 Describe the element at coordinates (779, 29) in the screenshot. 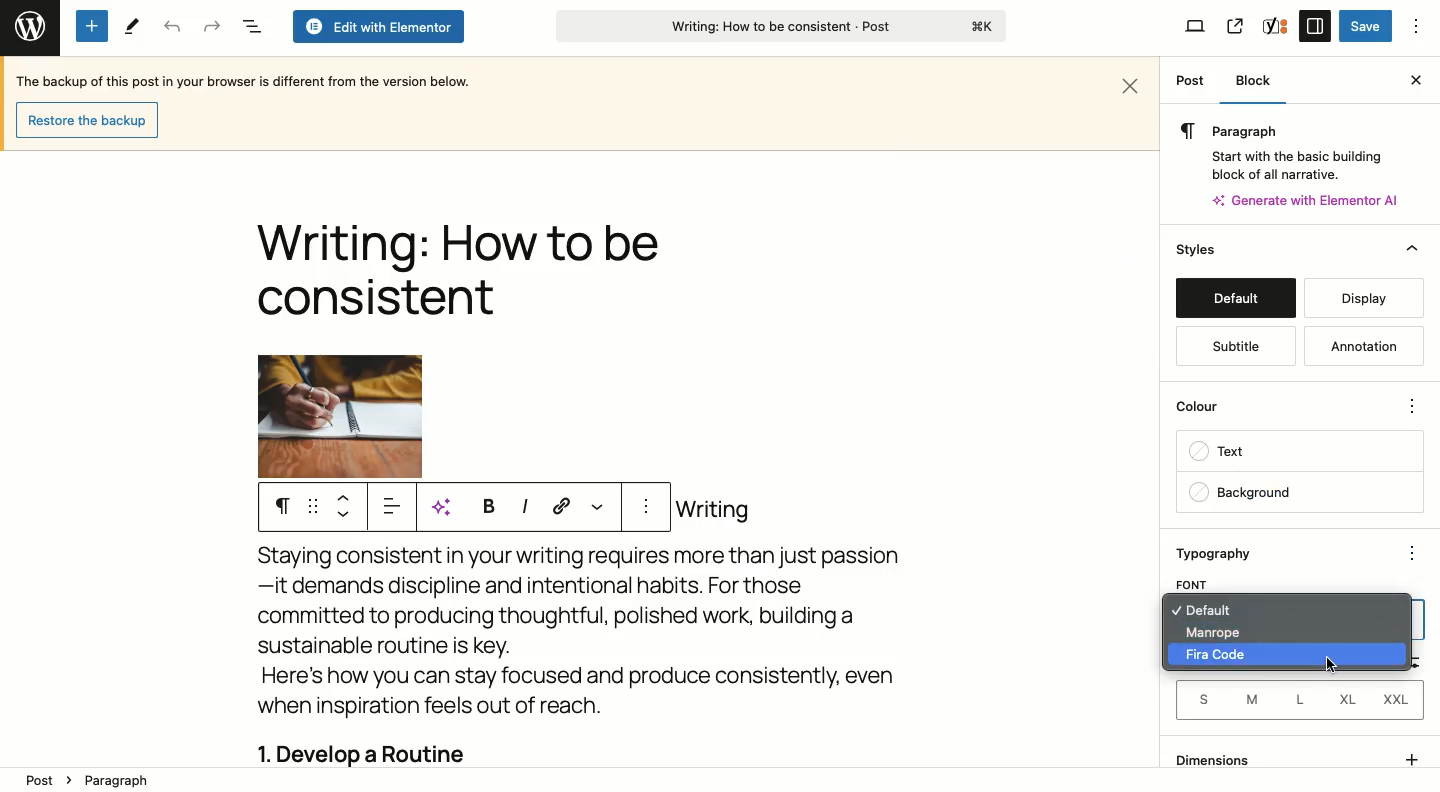

I see `Writing: How to be consistent` at that location.